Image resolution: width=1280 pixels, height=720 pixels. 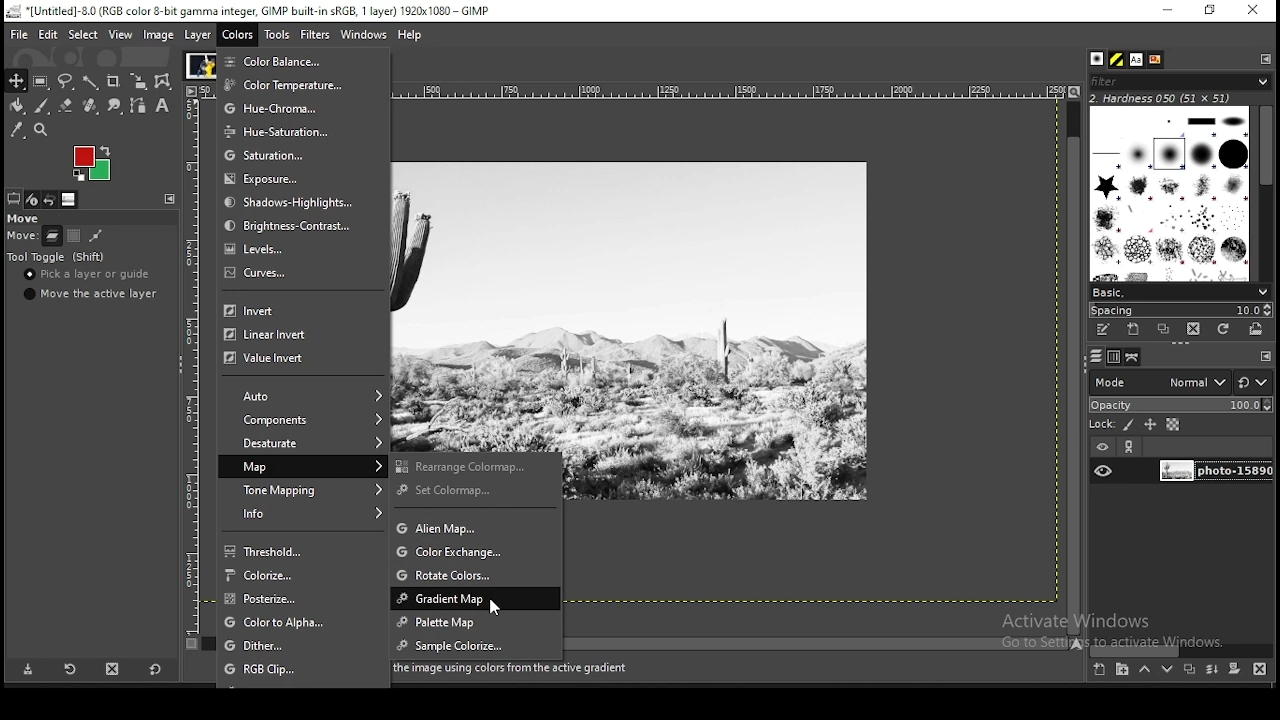 I want to click on image, so click(x=200, y=64).